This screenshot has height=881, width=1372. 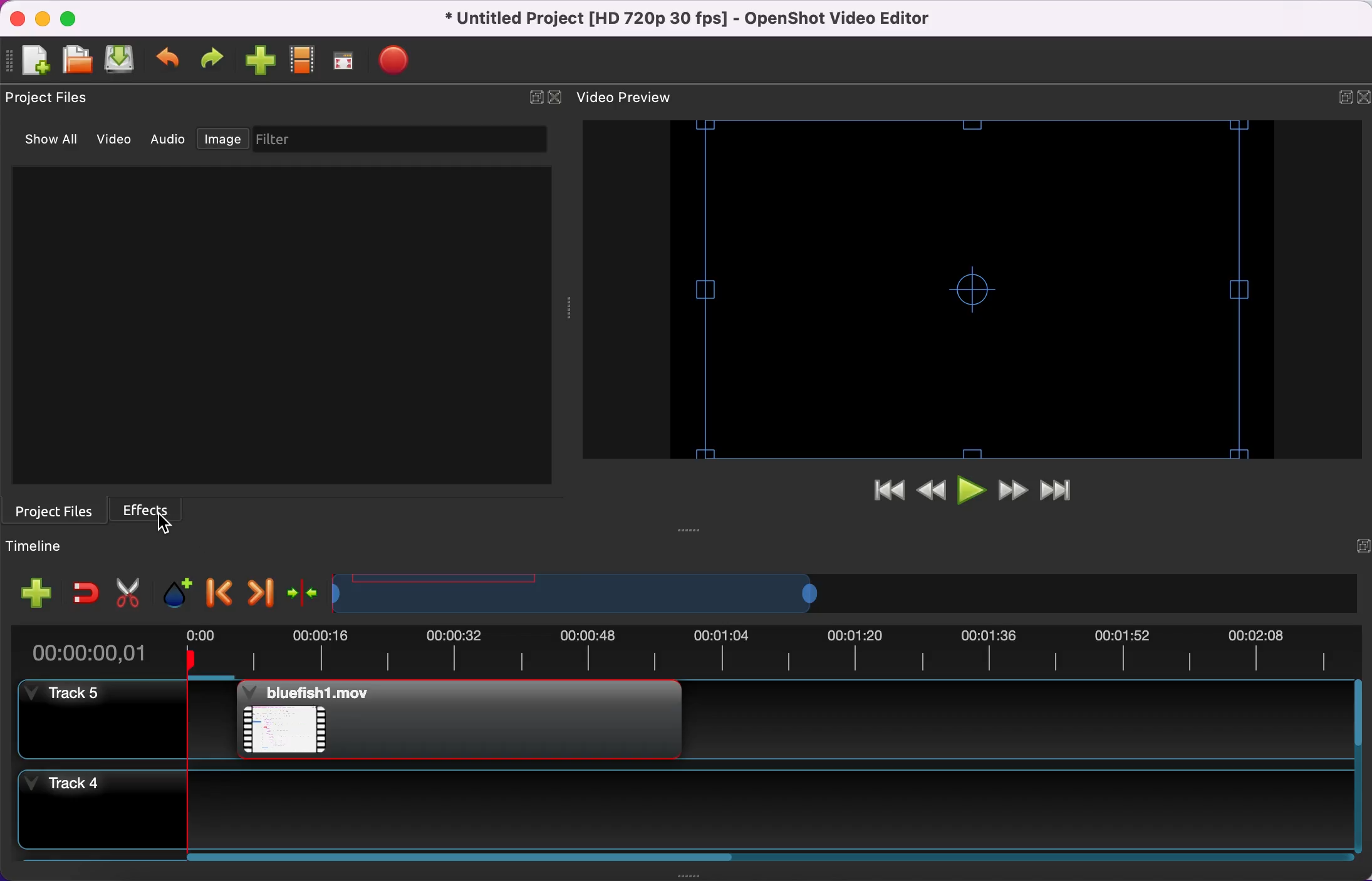 I want to click on save file, so click(x=123, y=62).